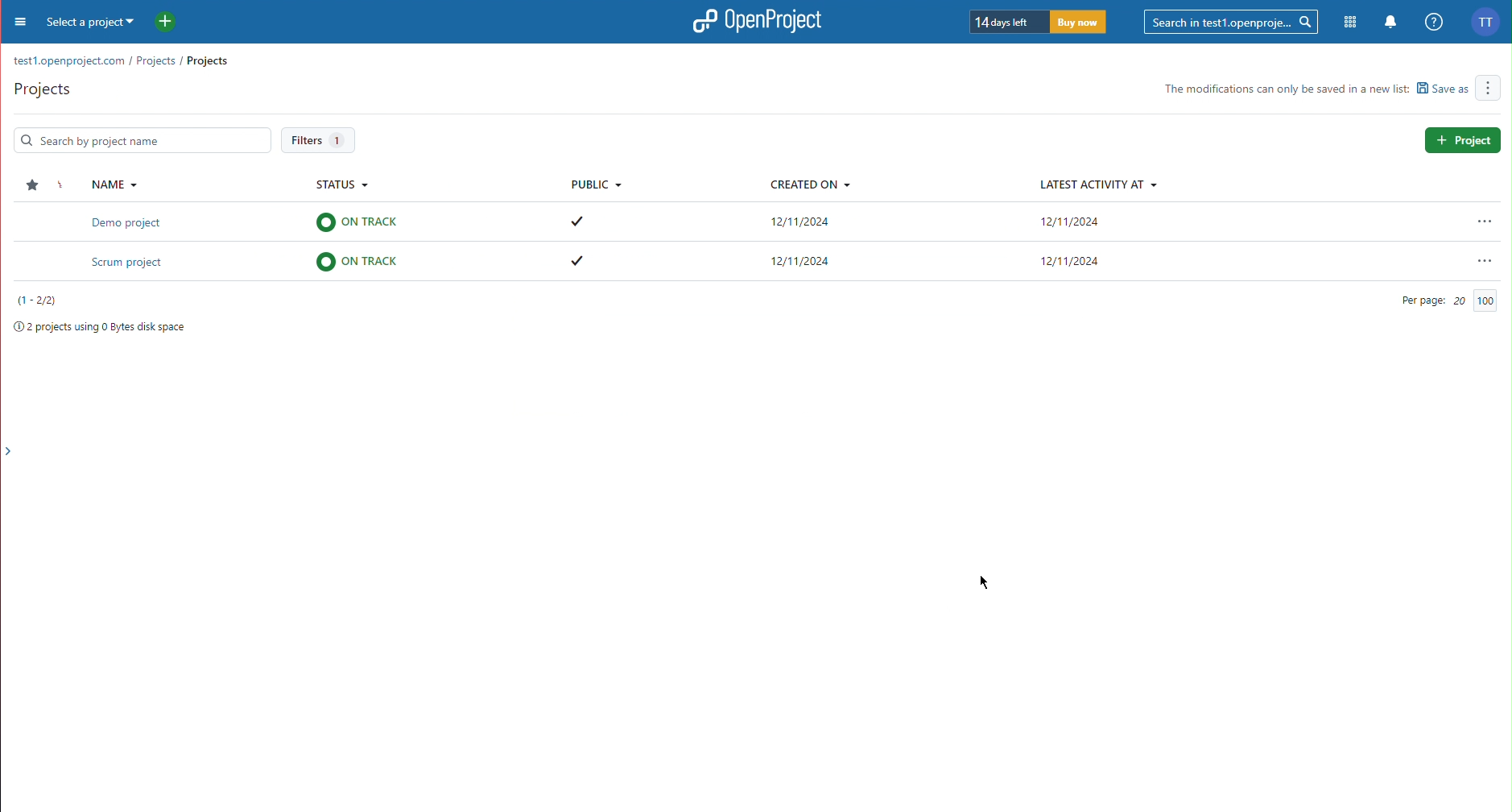 The width and height of the screenshot is (1512, 812). Describe the element at coordinates (985, 583) in the screenshot. I see `Cursor` at that location.